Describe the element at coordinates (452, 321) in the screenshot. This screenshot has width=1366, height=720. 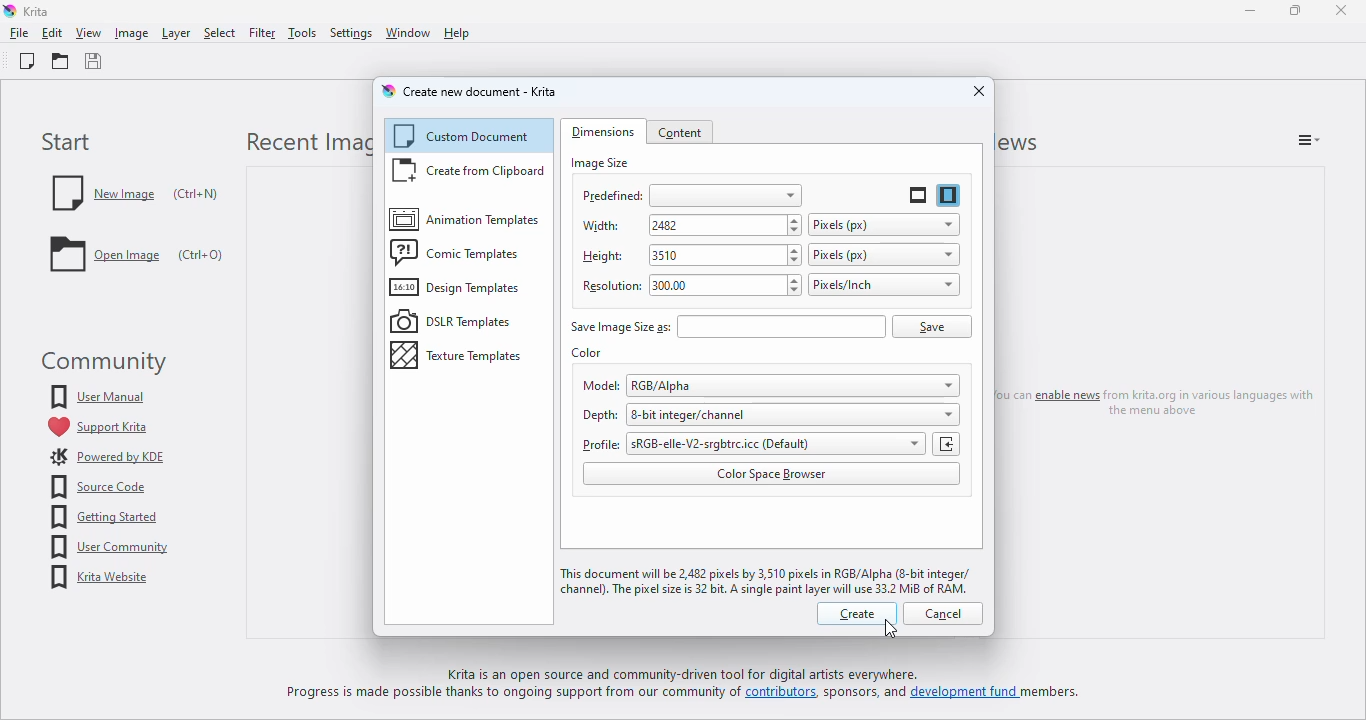
I see `DSLR Templates` at that location.